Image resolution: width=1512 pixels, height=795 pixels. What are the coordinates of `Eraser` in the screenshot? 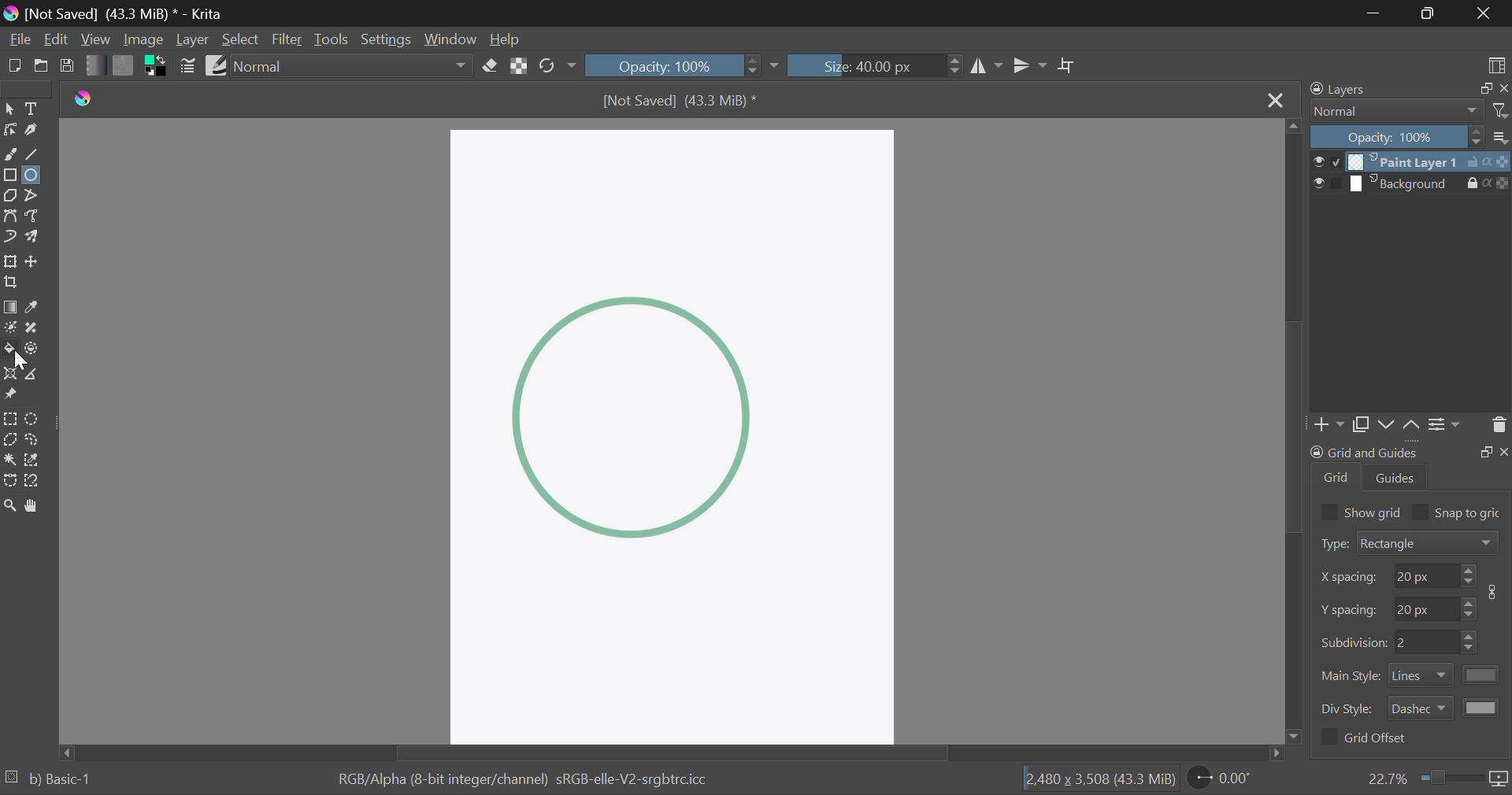 It's located at (491, 66).